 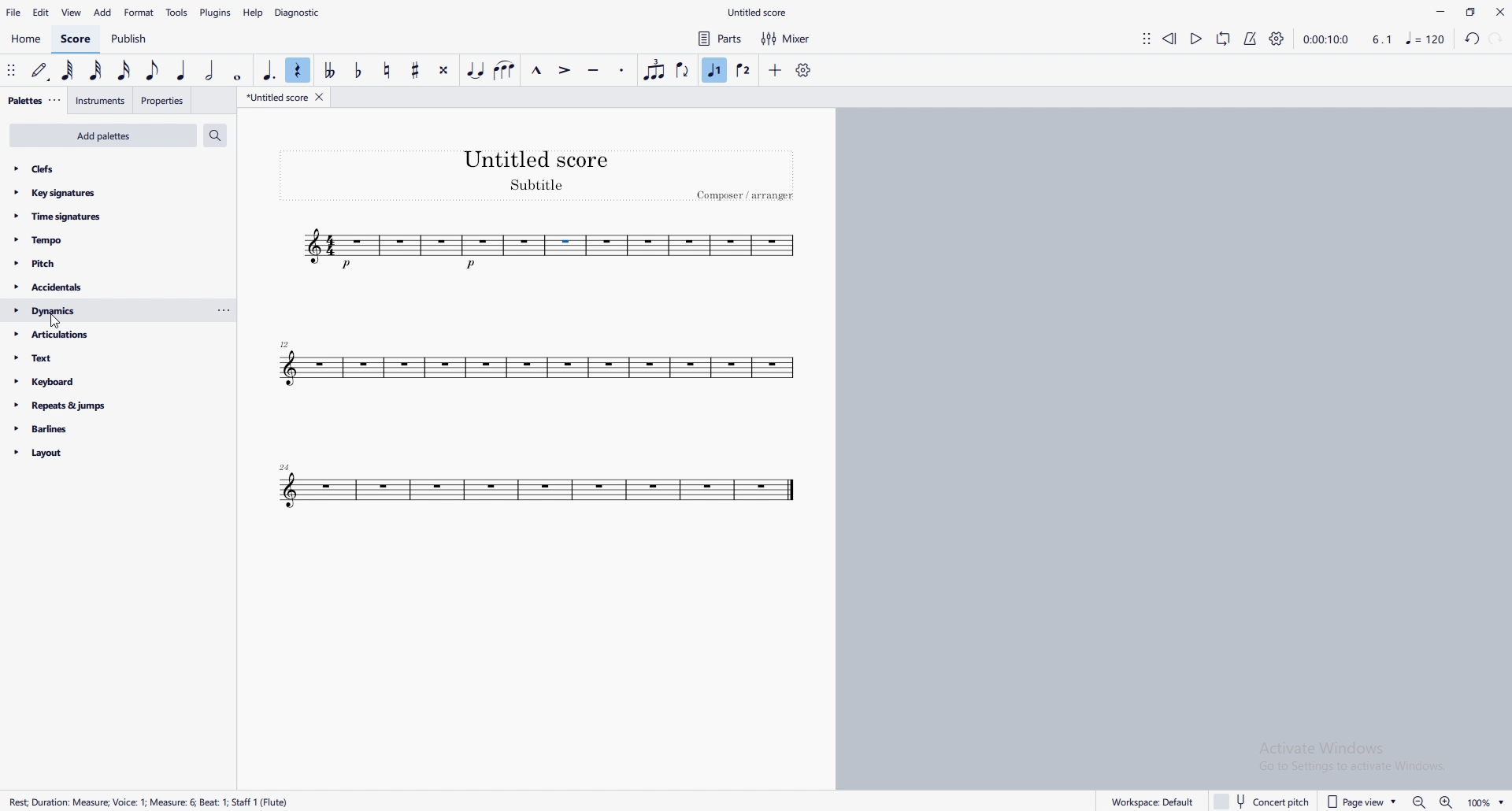 What do you see at coordinates (102, 217) in the screenshot?
I see `time signatures` at bounding box center [102, 217].